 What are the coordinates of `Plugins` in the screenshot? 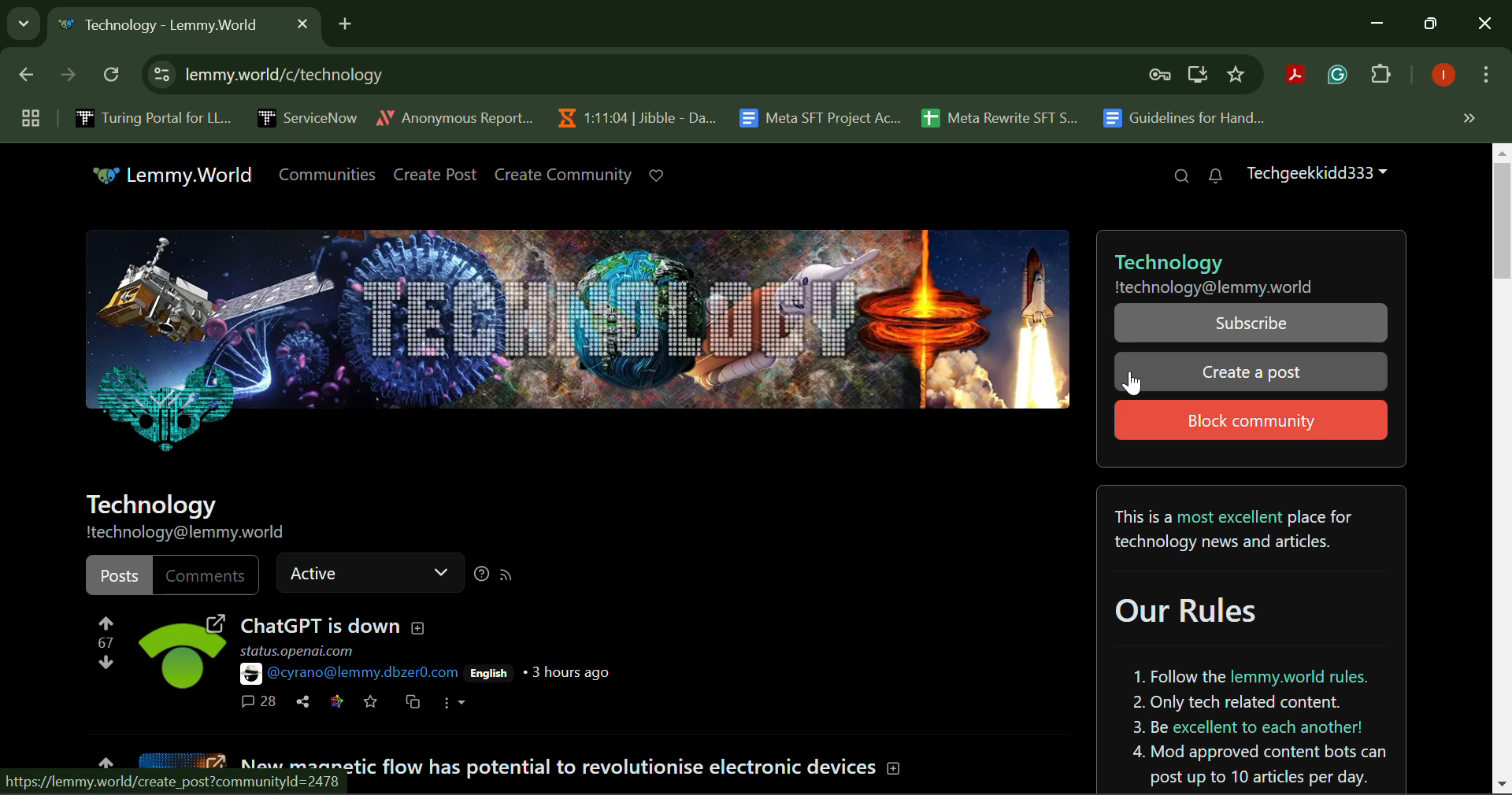 It's located at (1381, 77).